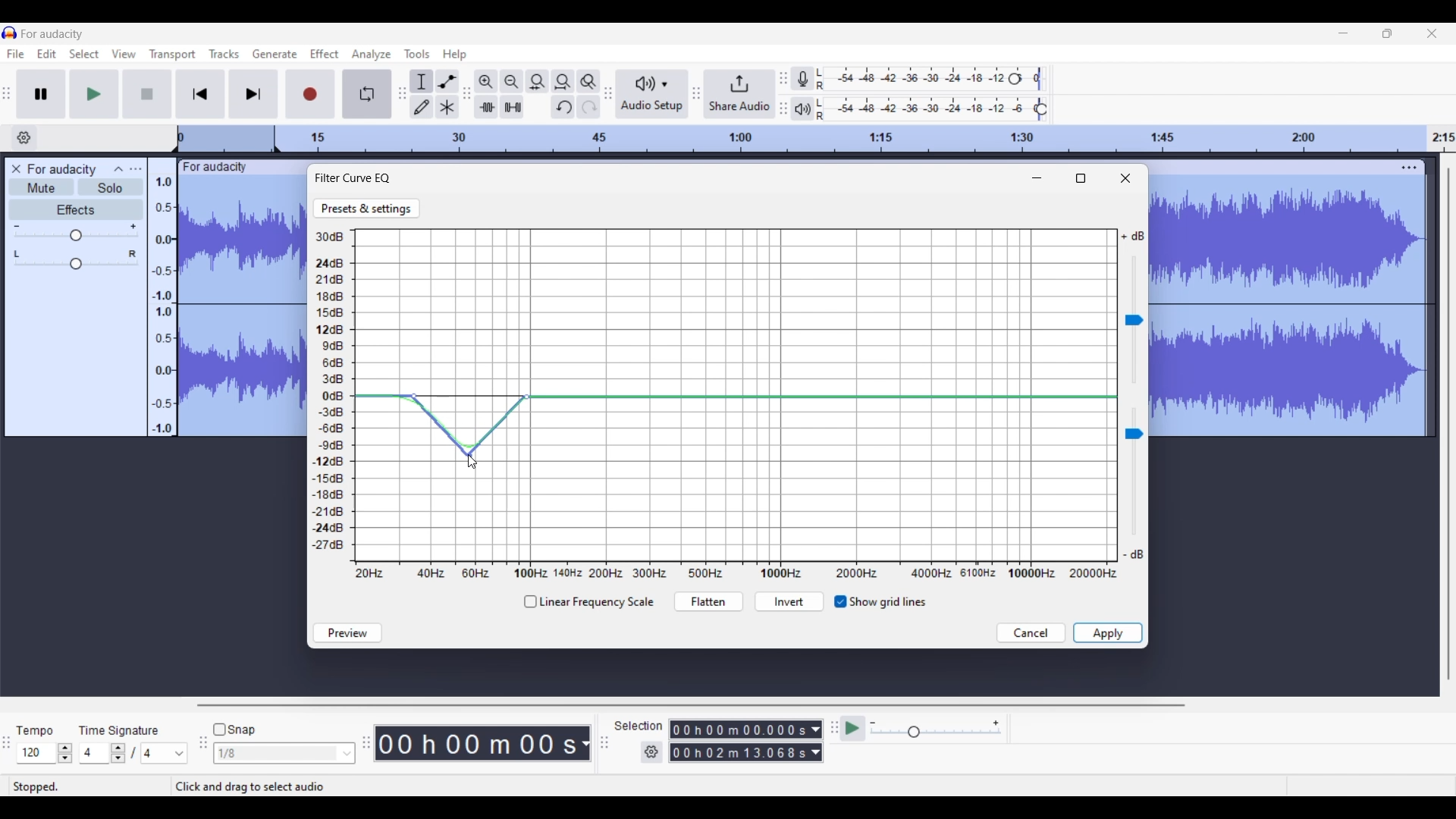 Image resolution: width=1456 pixels, height=819 pixels. Describe the element at coordinates (512, 107) in the screenshot. I see `Silence audio selection` at that location.